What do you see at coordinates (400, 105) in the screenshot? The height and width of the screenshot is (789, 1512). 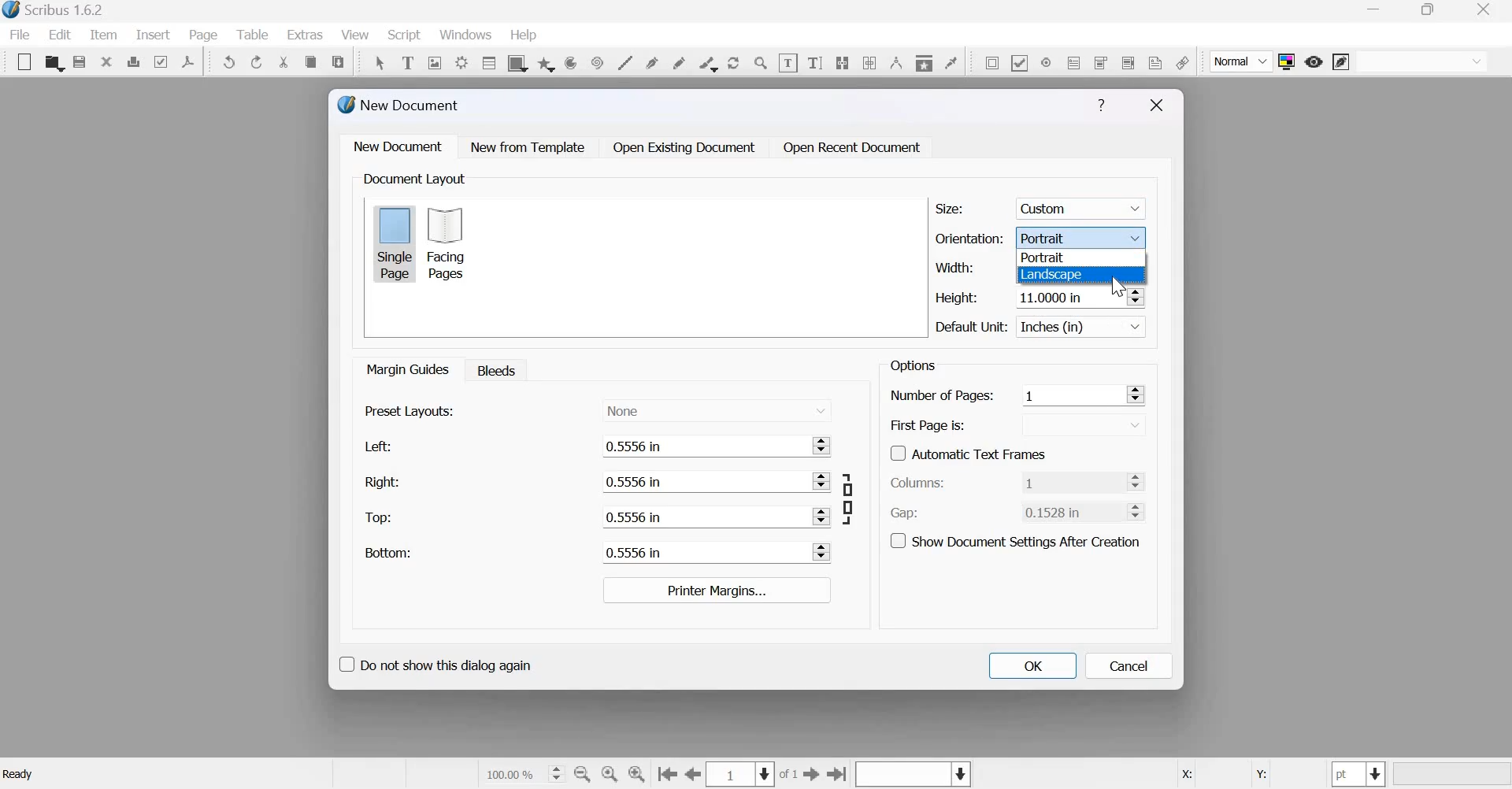 I see `New Document` at bounding box center [400, 105].